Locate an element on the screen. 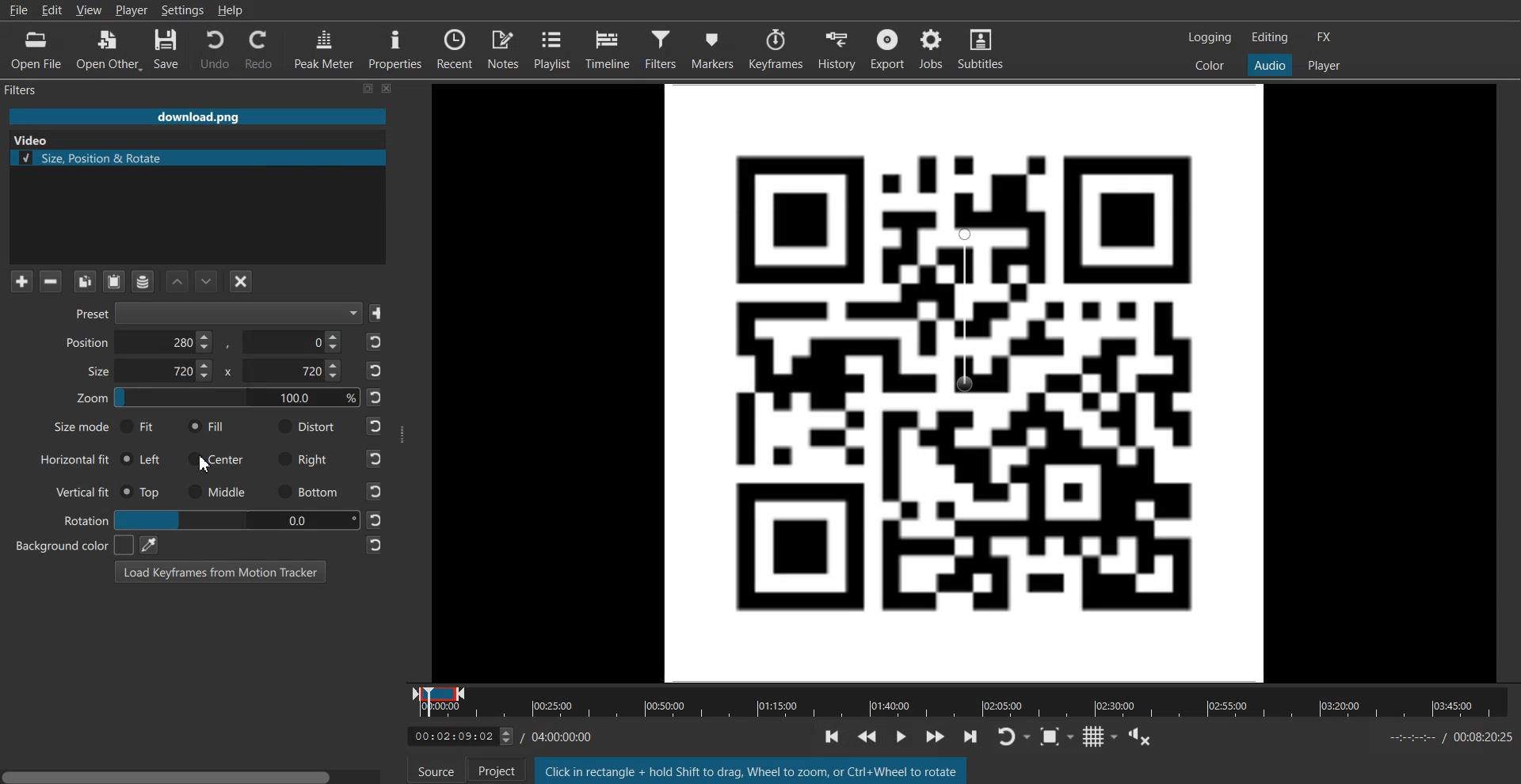 Image resolution: width=1521 pixels, height=784 pixels. Playlist is located at coordinates (554, 48).